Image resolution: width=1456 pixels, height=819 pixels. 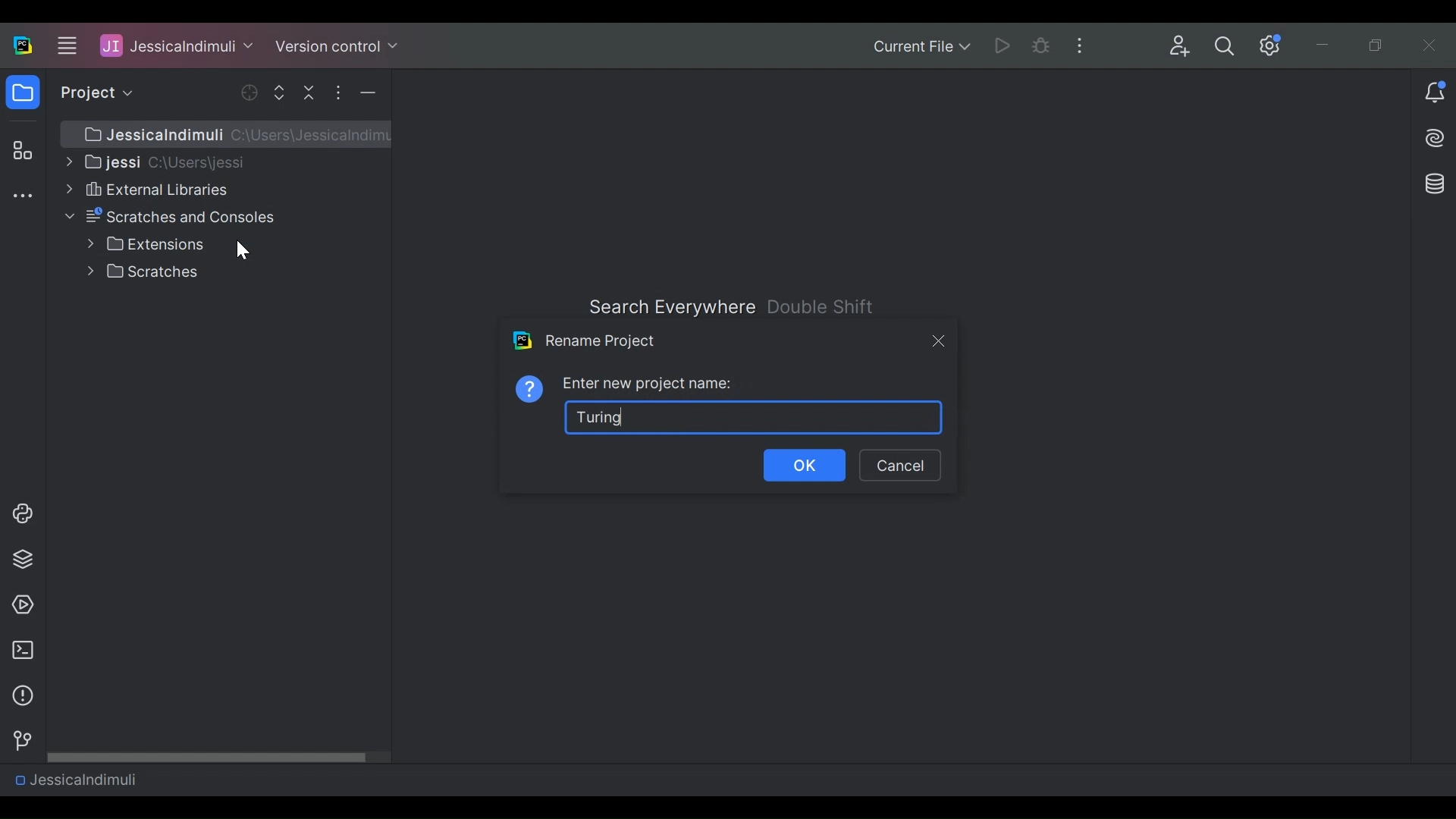 What do you see at coordinates (75, 779) in the screenshot?
I see `JessicaIndimuli` at bounding box center [75, 779].